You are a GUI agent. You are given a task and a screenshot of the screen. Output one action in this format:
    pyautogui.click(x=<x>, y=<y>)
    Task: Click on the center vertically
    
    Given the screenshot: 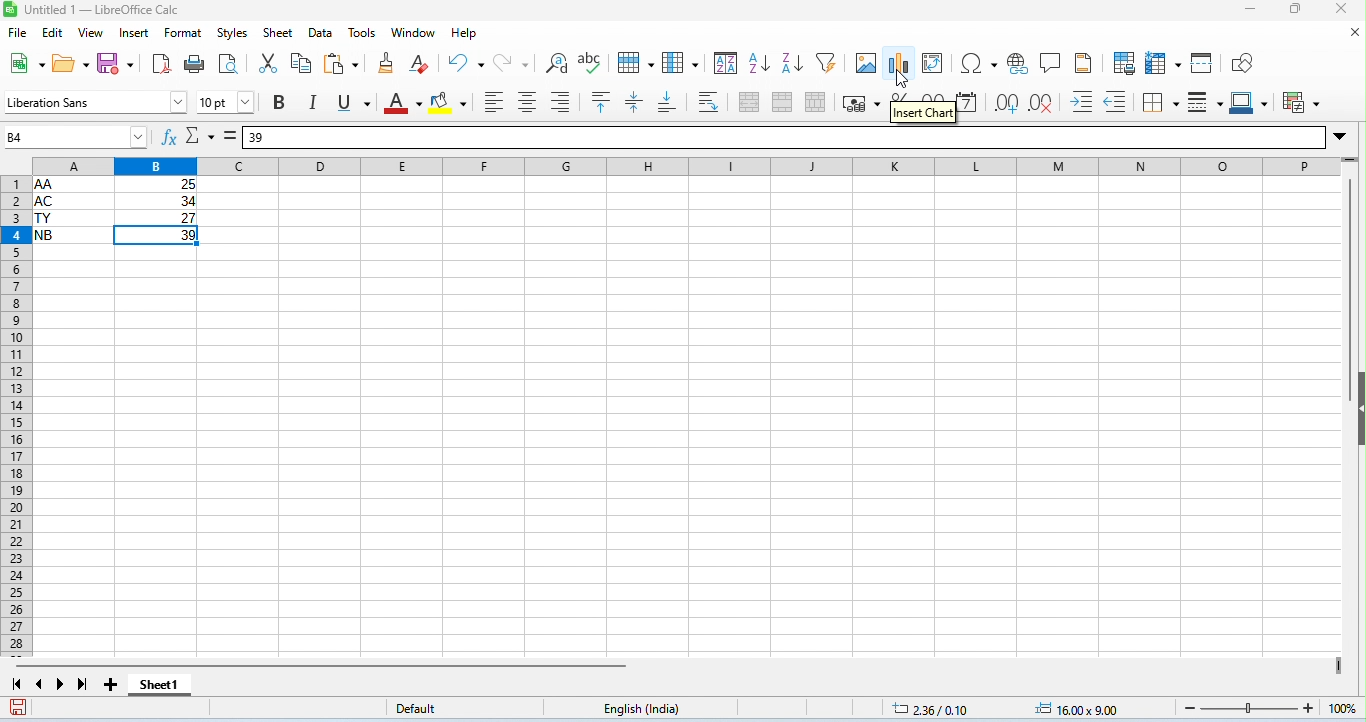 What is the action you would take?
    pyautogui.click(x=633, y=102)
    